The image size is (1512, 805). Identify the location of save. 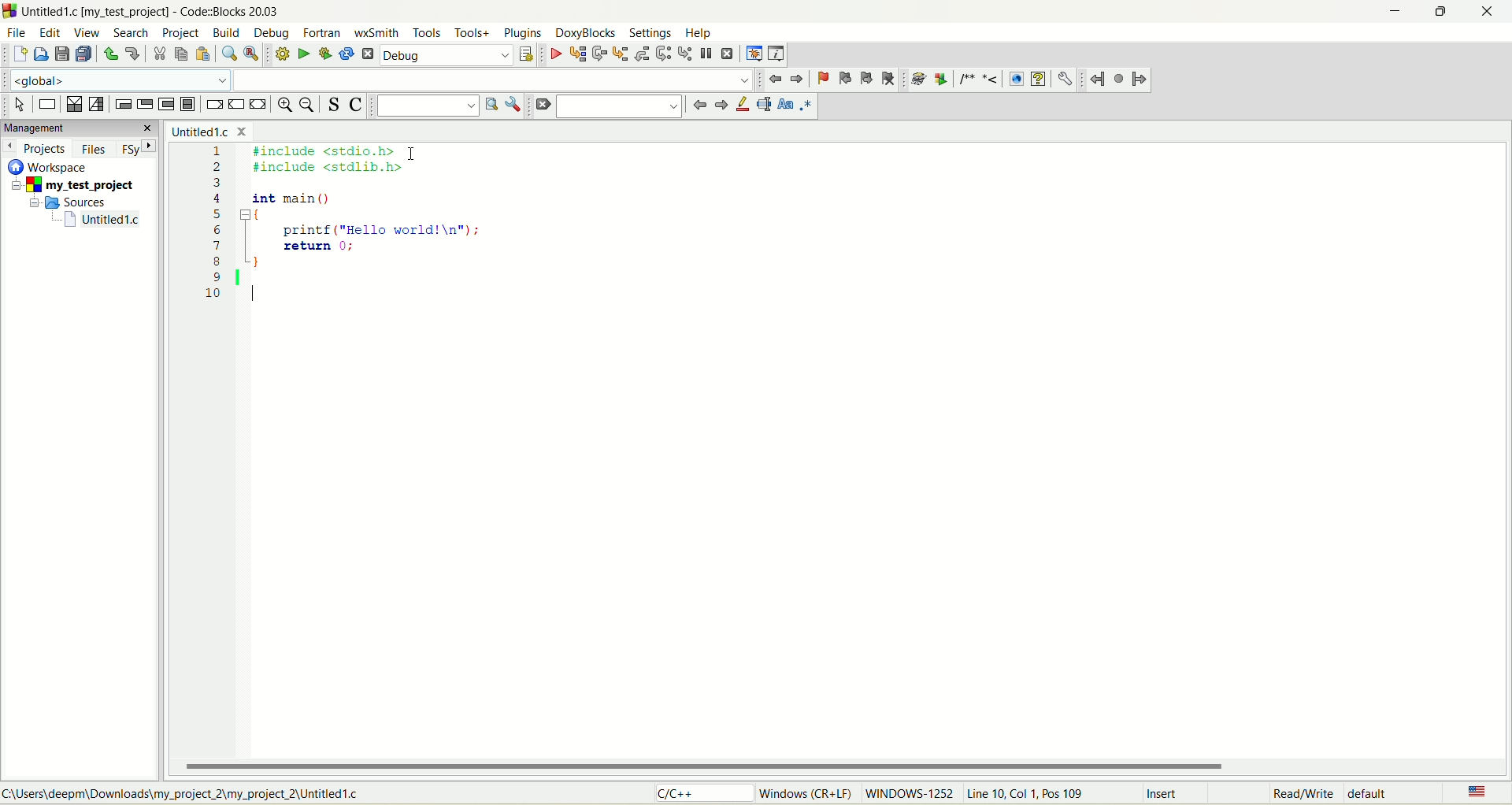
(61, 54).